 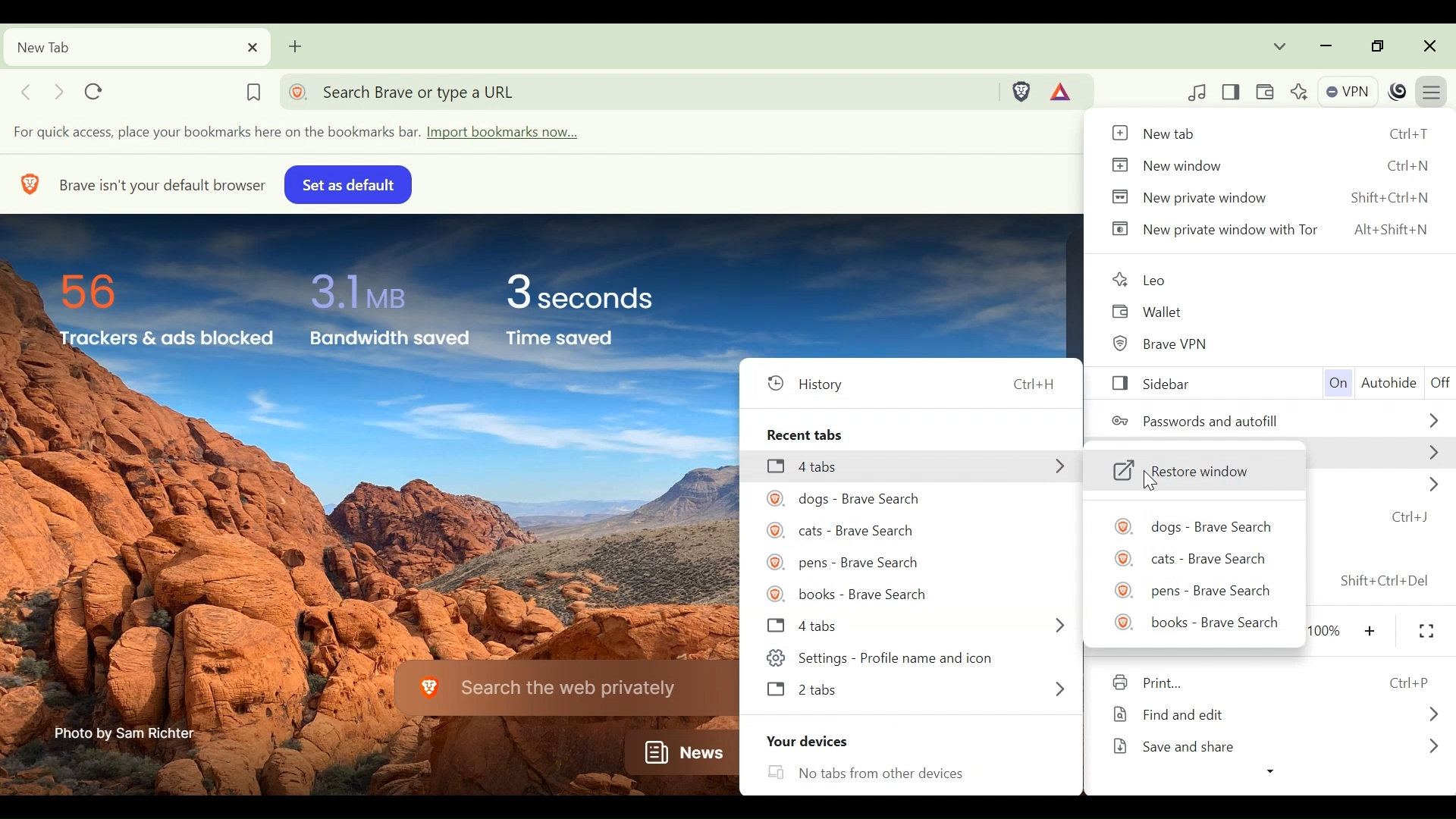 What do you see at coordinates (1339, 384) in the screenshot?
I see `on` at bounding box center [1339, 384].